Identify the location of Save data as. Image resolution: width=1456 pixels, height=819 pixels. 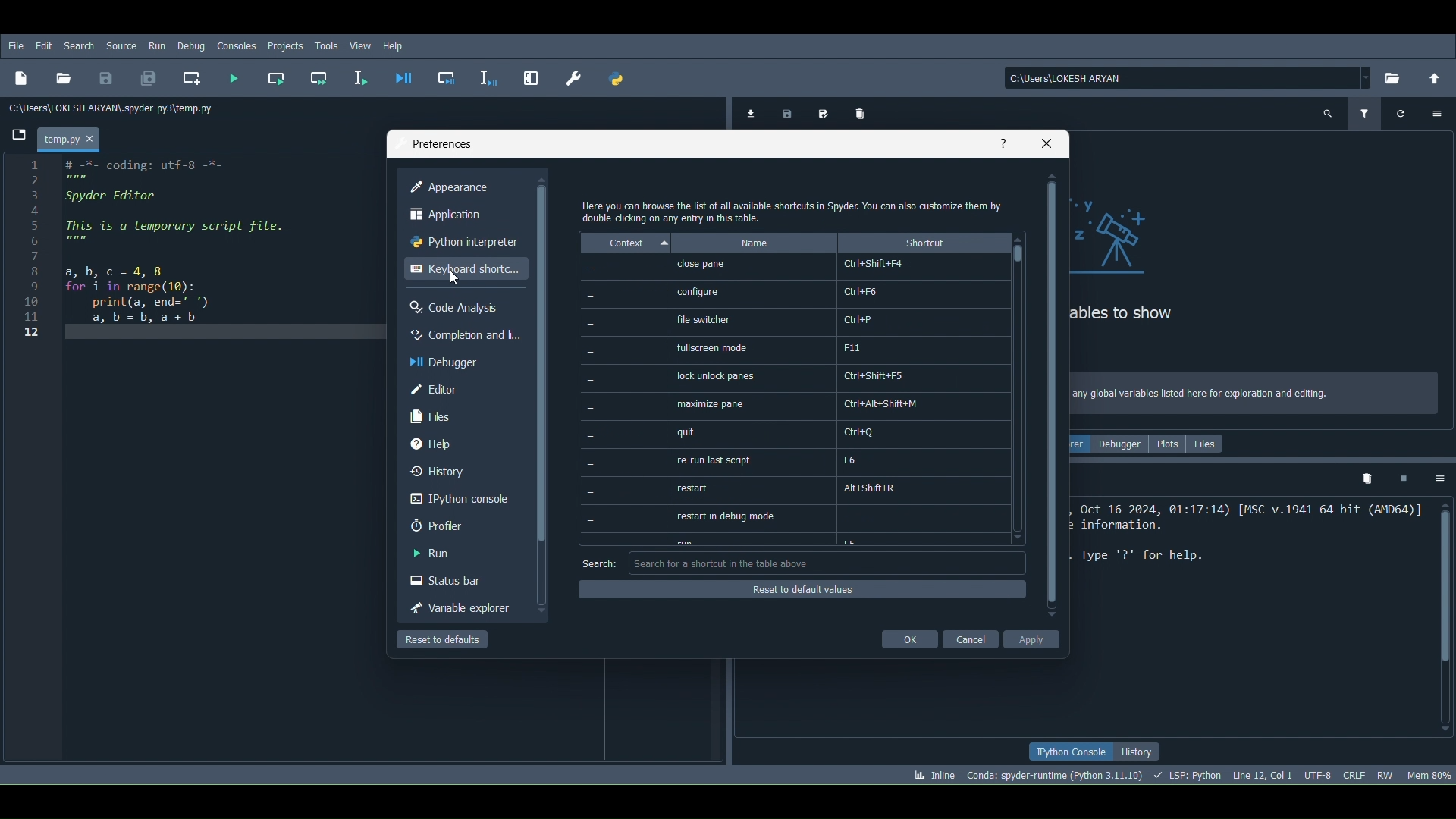
(820, 111).